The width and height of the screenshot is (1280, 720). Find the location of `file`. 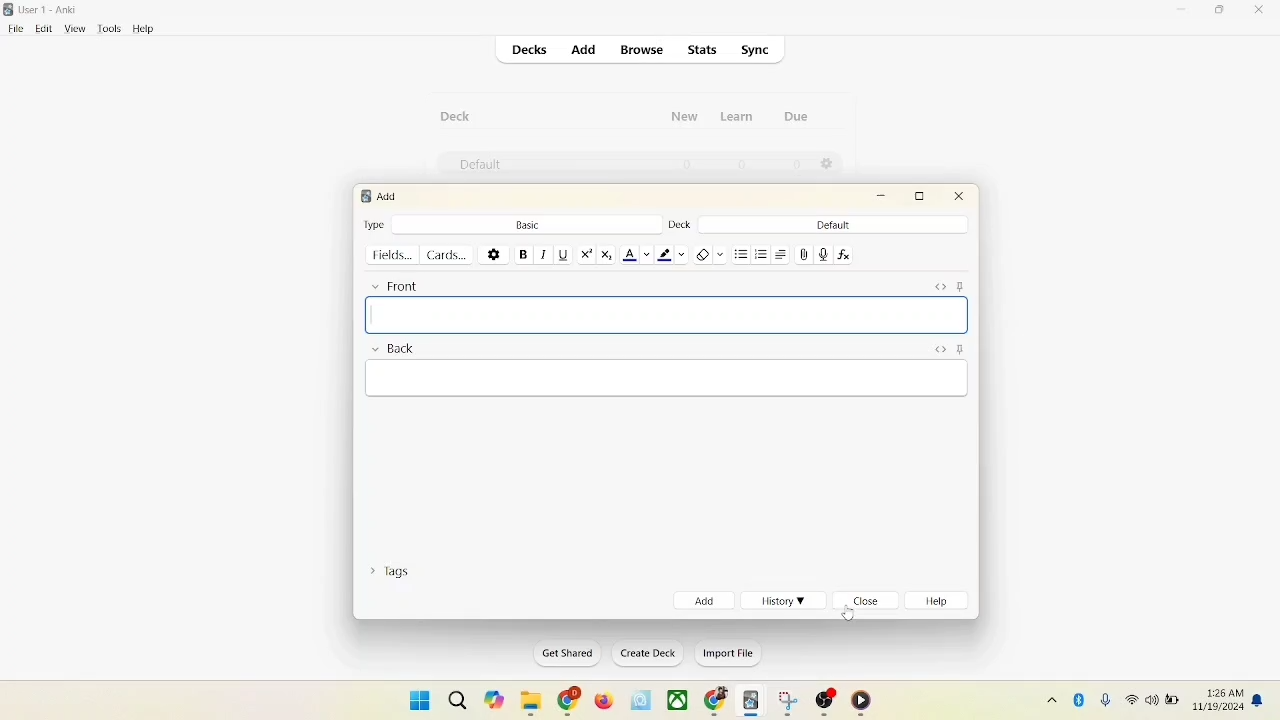

file is located at coordinates (13, 29).